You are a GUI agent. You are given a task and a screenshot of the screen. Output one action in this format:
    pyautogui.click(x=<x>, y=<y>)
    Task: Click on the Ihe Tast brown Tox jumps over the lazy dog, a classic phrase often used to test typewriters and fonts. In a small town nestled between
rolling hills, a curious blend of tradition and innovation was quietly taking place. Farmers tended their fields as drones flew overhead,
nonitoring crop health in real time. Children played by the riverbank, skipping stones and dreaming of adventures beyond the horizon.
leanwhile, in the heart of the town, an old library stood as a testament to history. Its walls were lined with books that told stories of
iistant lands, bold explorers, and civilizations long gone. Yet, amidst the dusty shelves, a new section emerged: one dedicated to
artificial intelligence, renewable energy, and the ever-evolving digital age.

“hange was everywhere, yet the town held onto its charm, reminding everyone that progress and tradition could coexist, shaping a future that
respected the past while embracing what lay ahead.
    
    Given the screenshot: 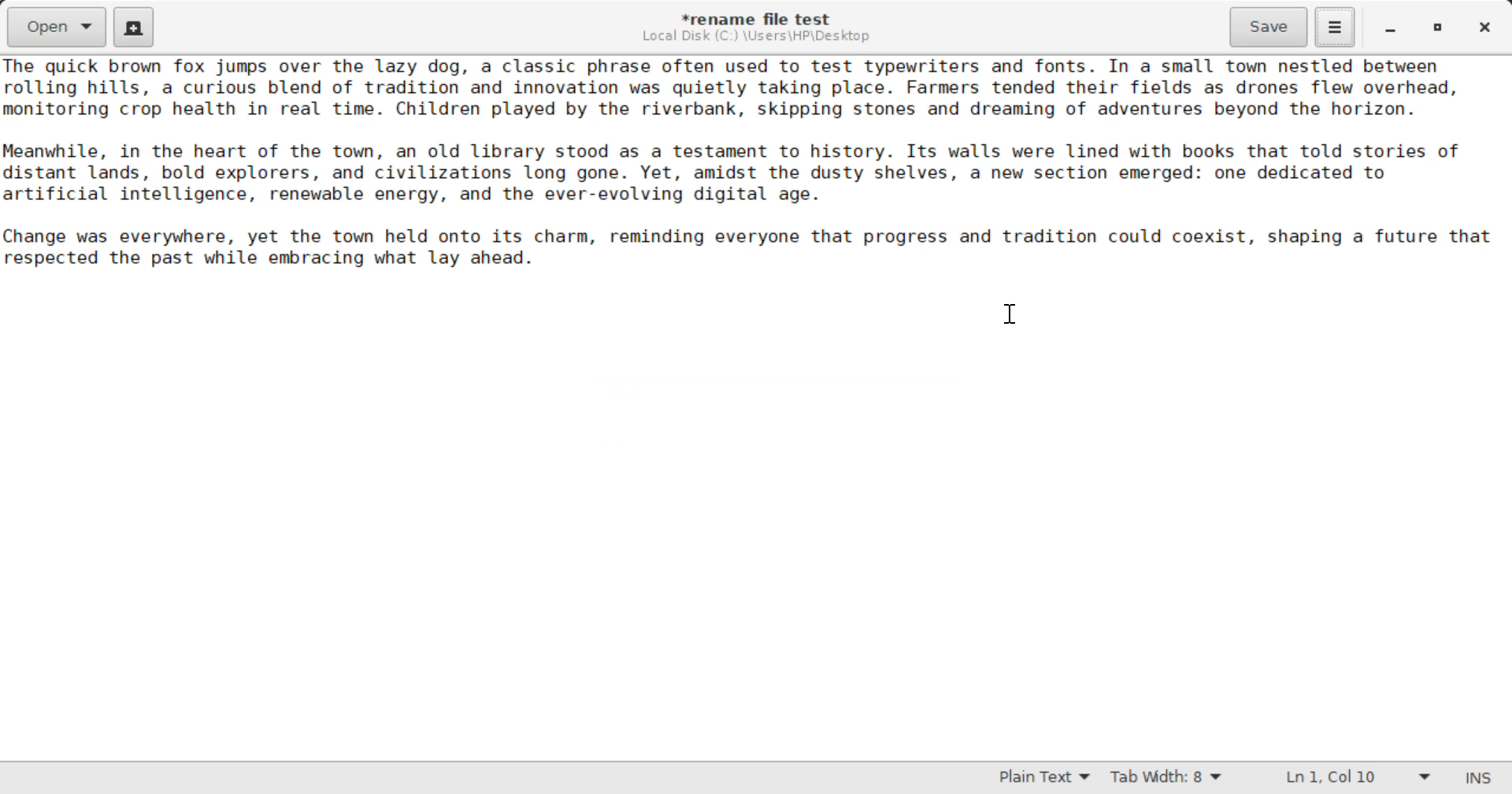 What is the action you would take?
    pyautogui.click(x=756, y=165)
    